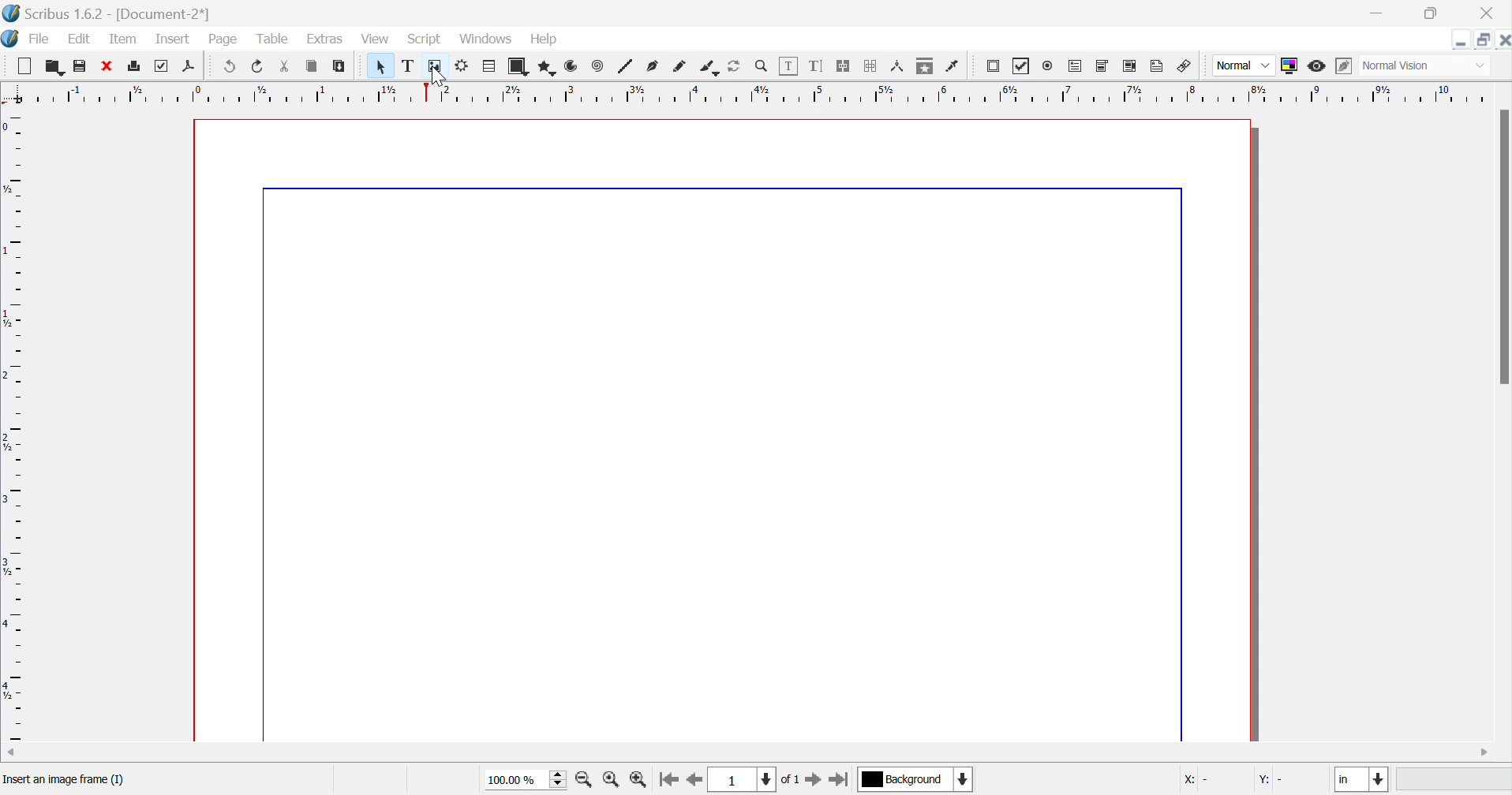 The image size is (1512, 795). What do you see at coordinates (840, 779) in the screenshot?
I see `go to last page` at bounding box center [840, 779].